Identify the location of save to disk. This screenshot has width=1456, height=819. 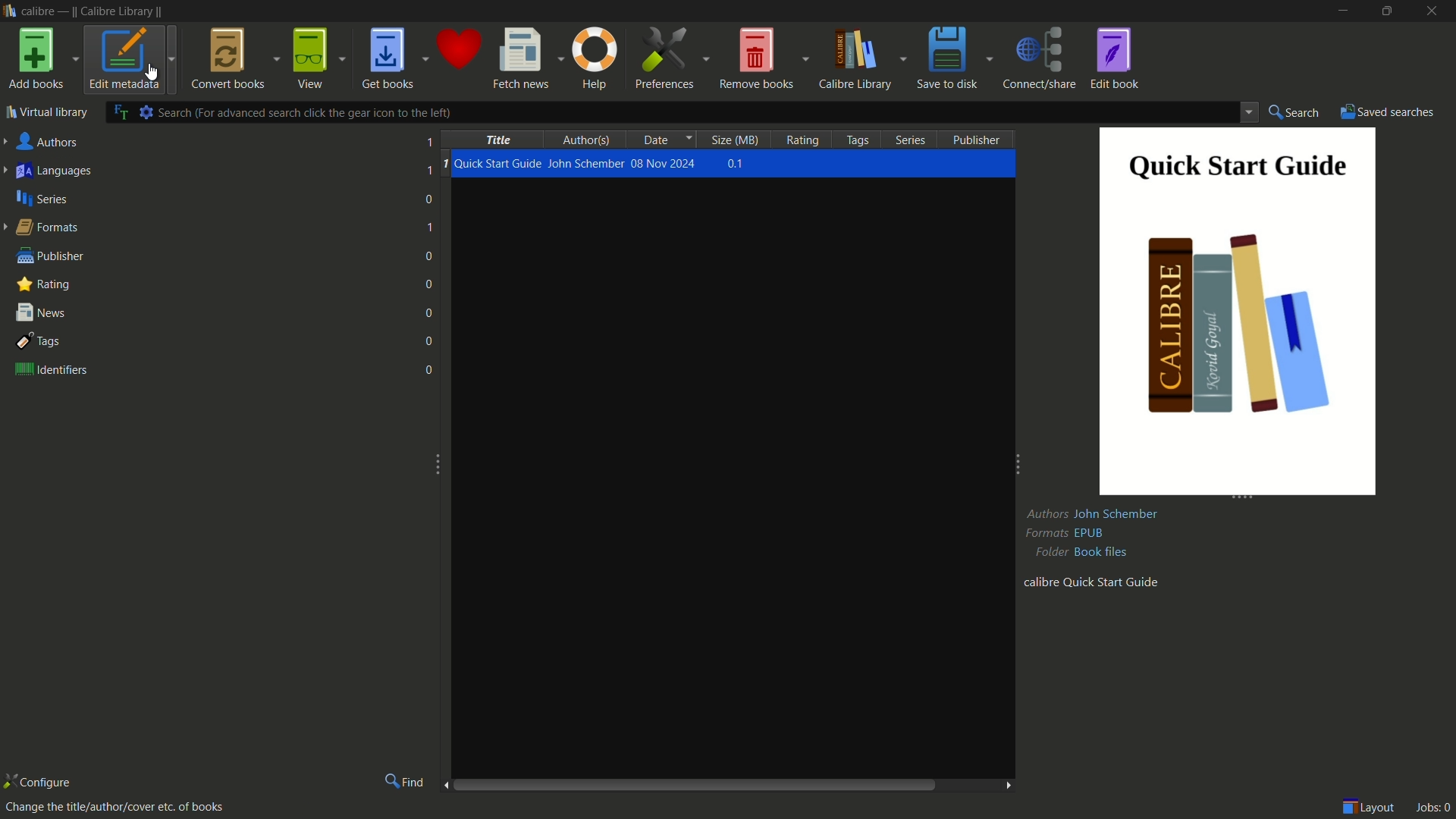
(957, 56).